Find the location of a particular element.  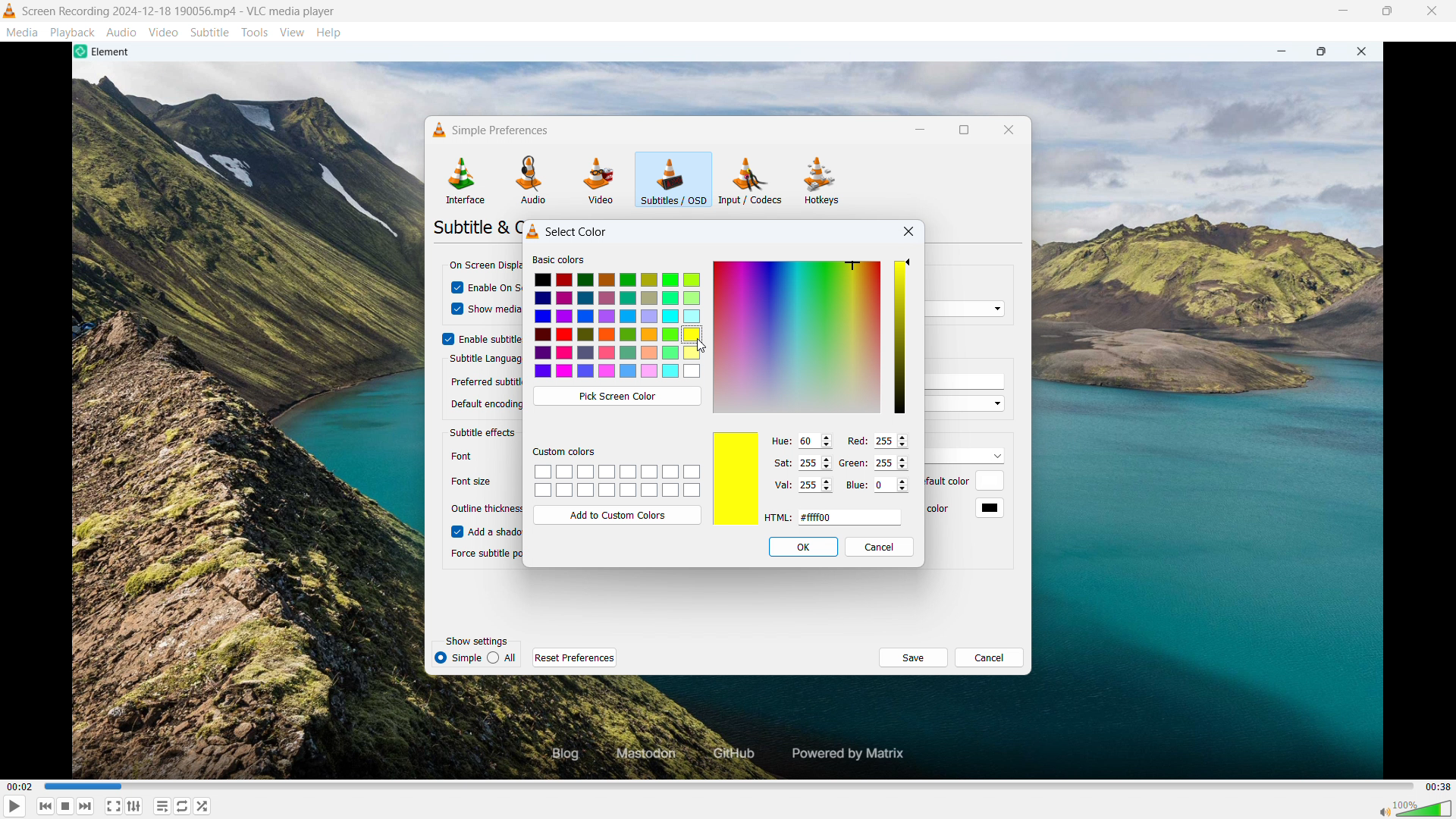

Sat is located at coordinates (780, 461).